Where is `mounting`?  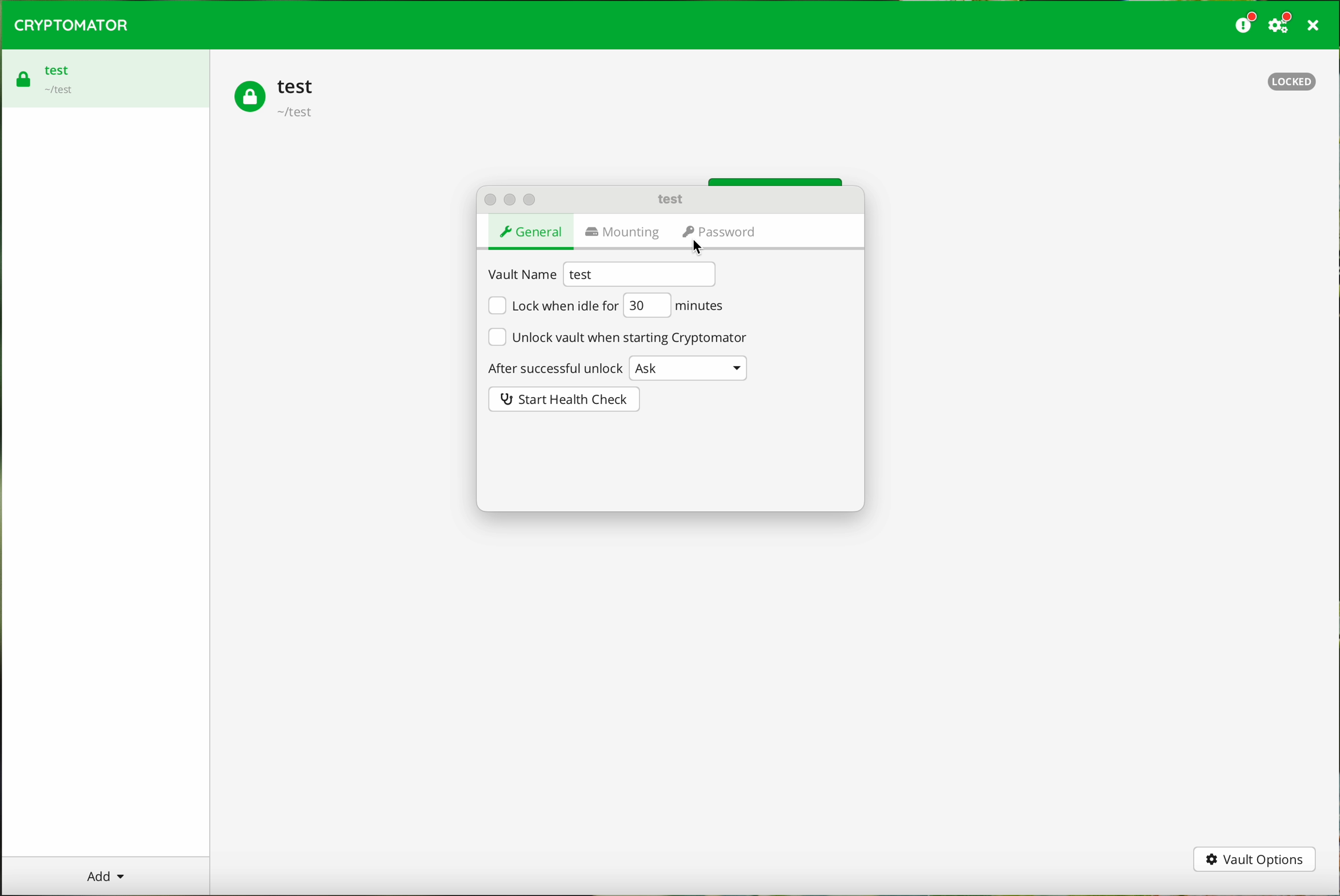
mounting is located at coordinates (626, 233).